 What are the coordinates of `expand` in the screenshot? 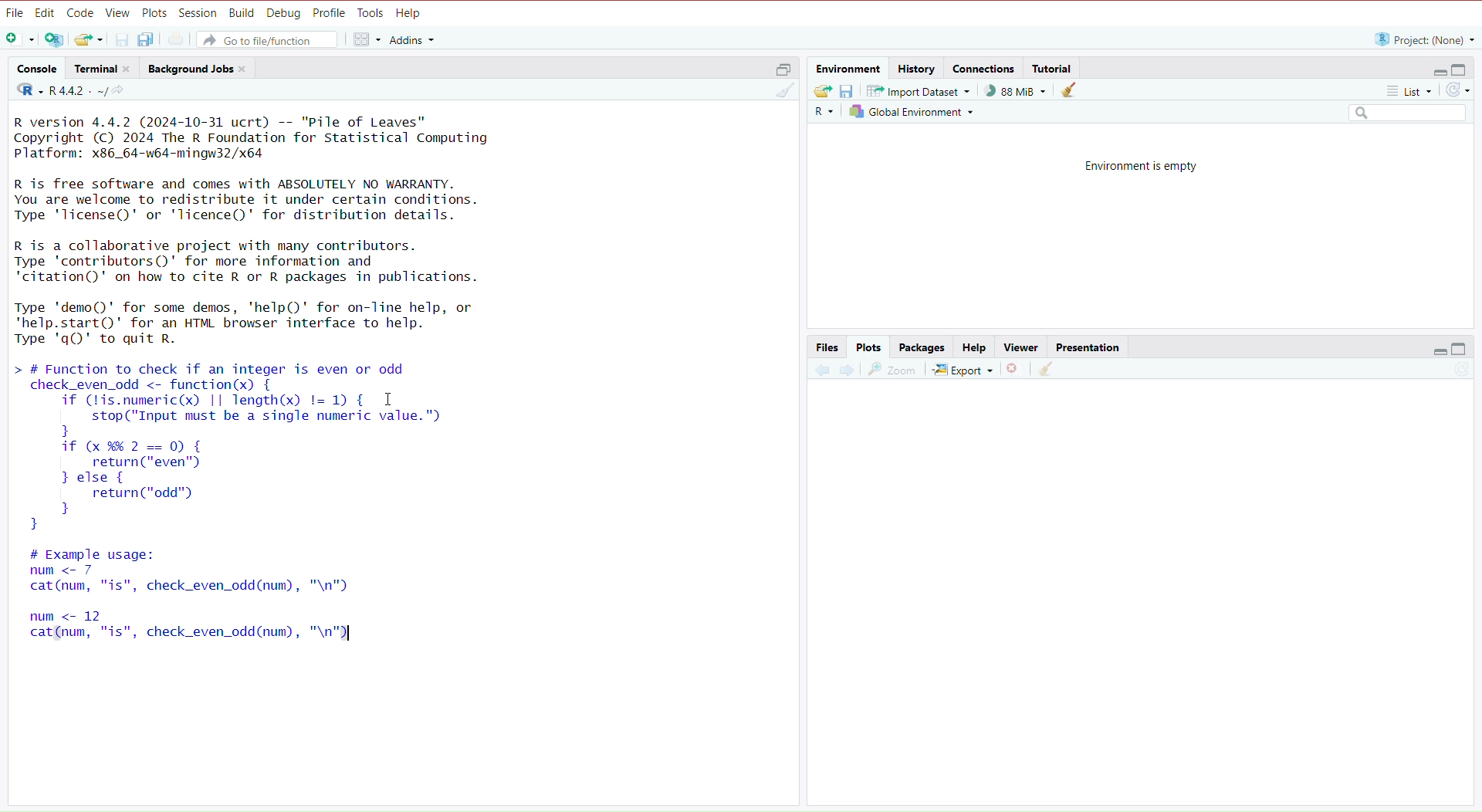 It's located at (1437, 350).